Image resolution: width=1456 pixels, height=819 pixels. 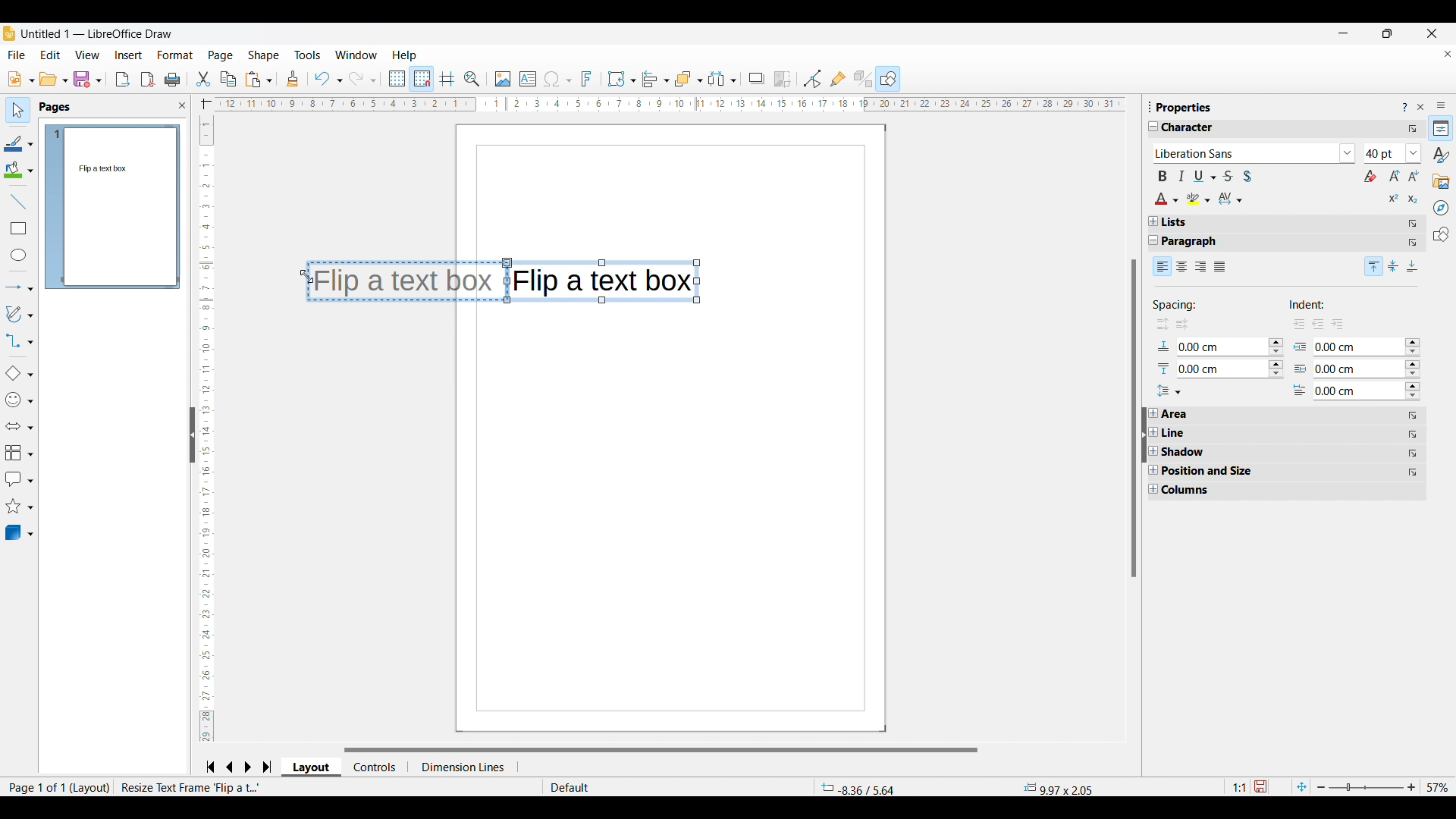 What do you see at coordinates (472, 80) in the screenshot?
I see `Zoom and pan` at bounding box center [472, 80].